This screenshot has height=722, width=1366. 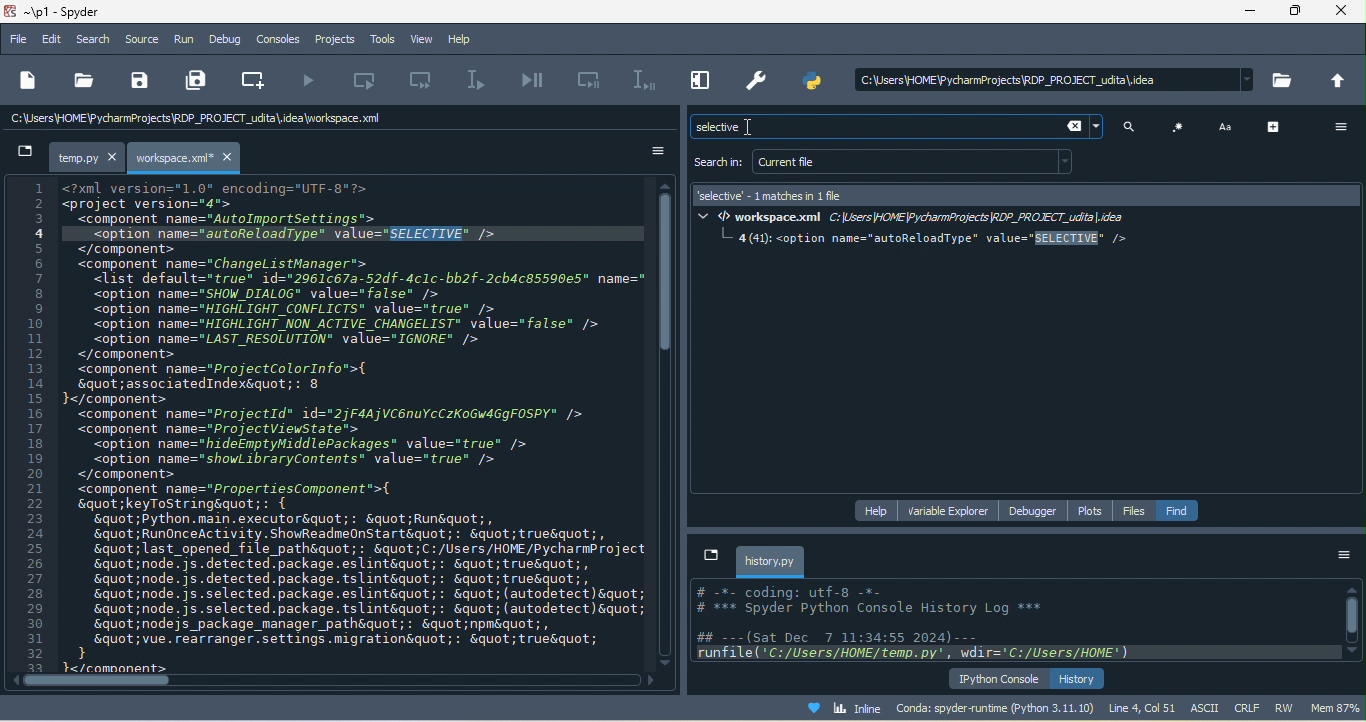 What do you see at coordinates (1014, 623) in the screenshot?
I see `ipython console pane text` at bounding box center [1014, 623].